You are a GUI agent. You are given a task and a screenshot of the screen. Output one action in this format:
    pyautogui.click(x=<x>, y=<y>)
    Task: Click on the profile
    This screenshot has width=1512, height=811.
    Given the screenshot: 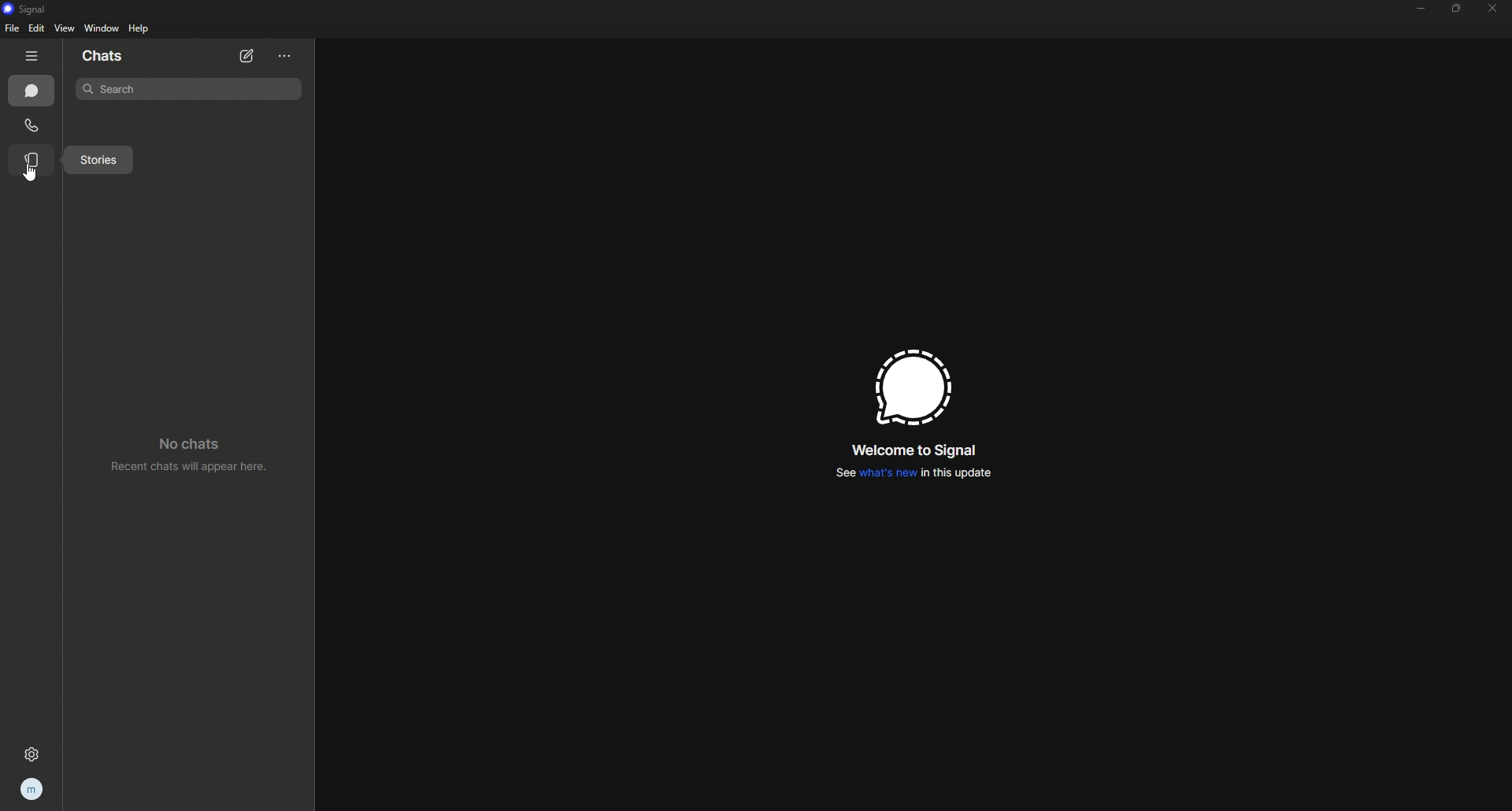 What is the action you would take?
    pyautogui.click(x=33, y=788)
    